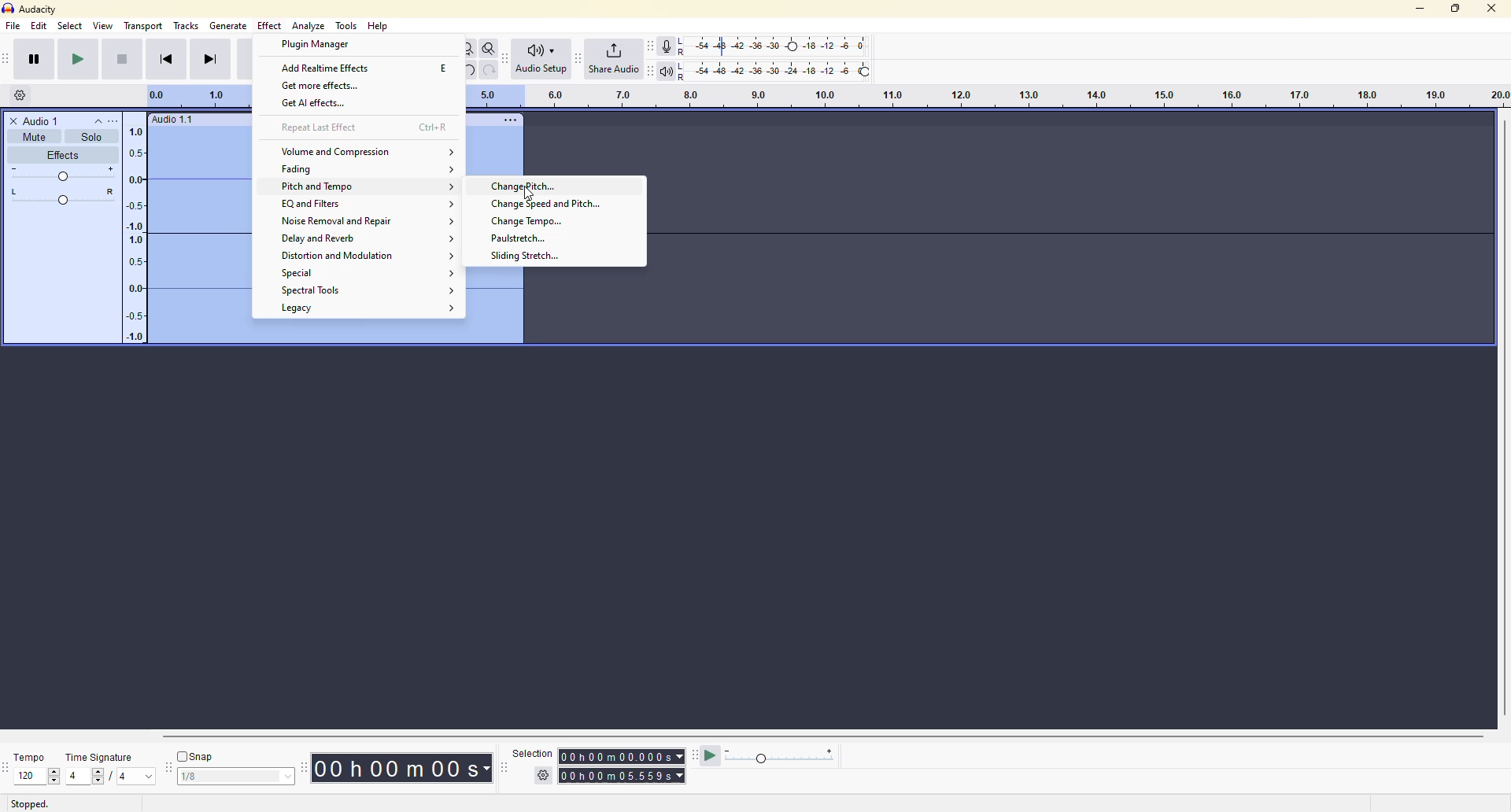 Image resolution: width=1511 pixels, height=812 pixels. I want to click on collapse, so click(98, 120).